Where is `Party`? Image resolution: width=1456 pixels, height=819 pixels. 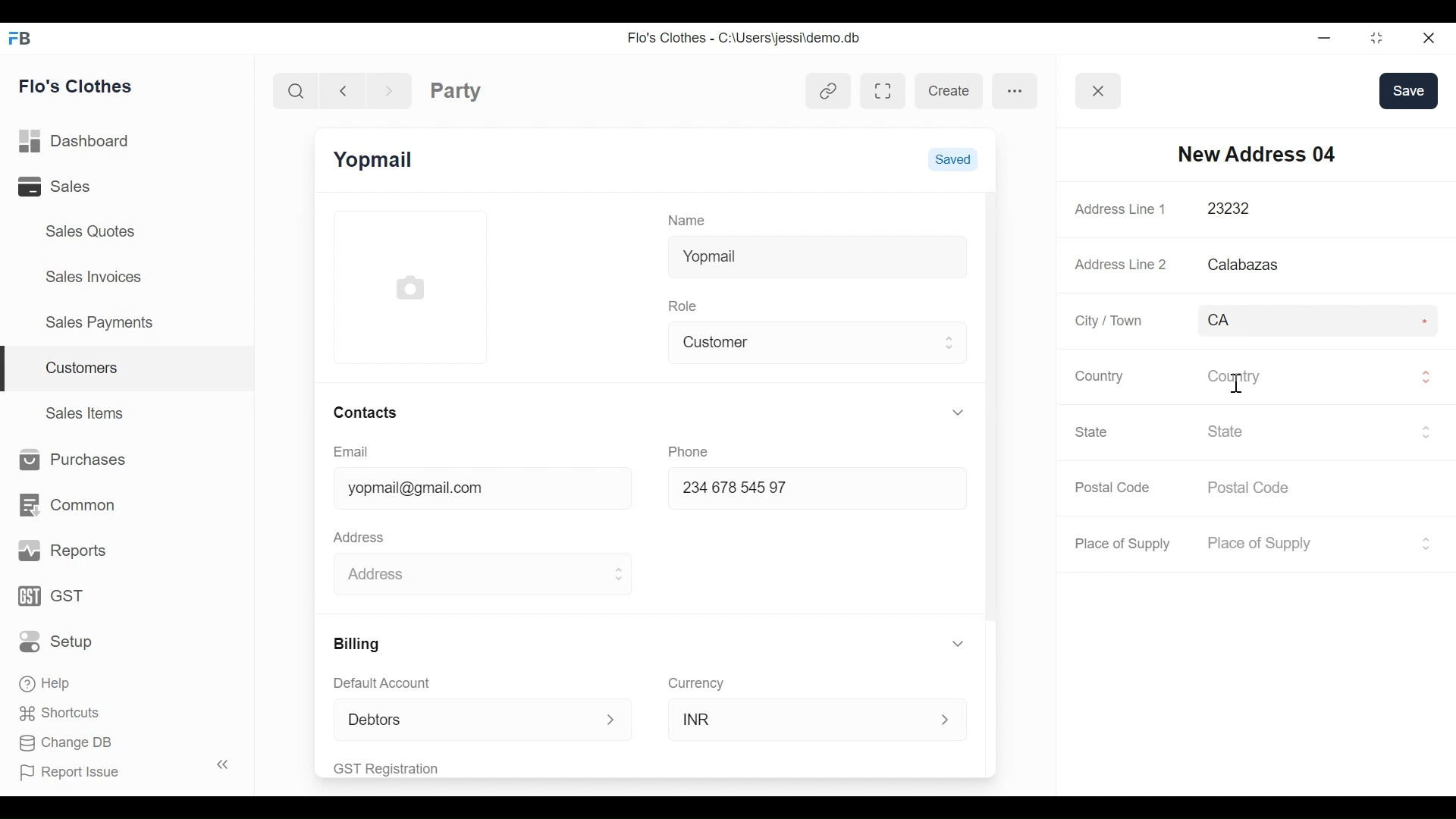 Party is located at coordinates (456, 90).